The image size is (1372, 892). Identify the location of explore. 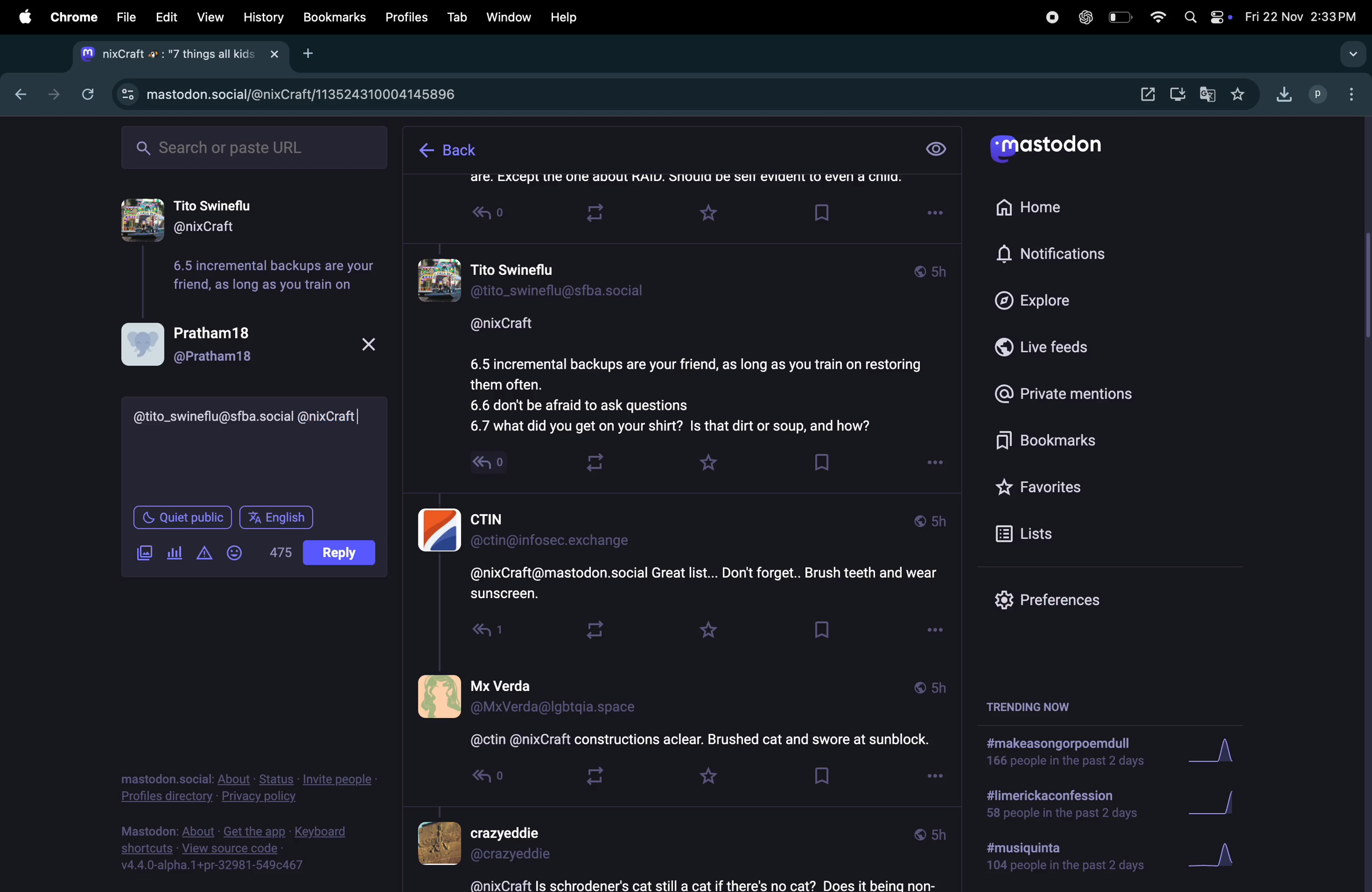
(1053, 299).